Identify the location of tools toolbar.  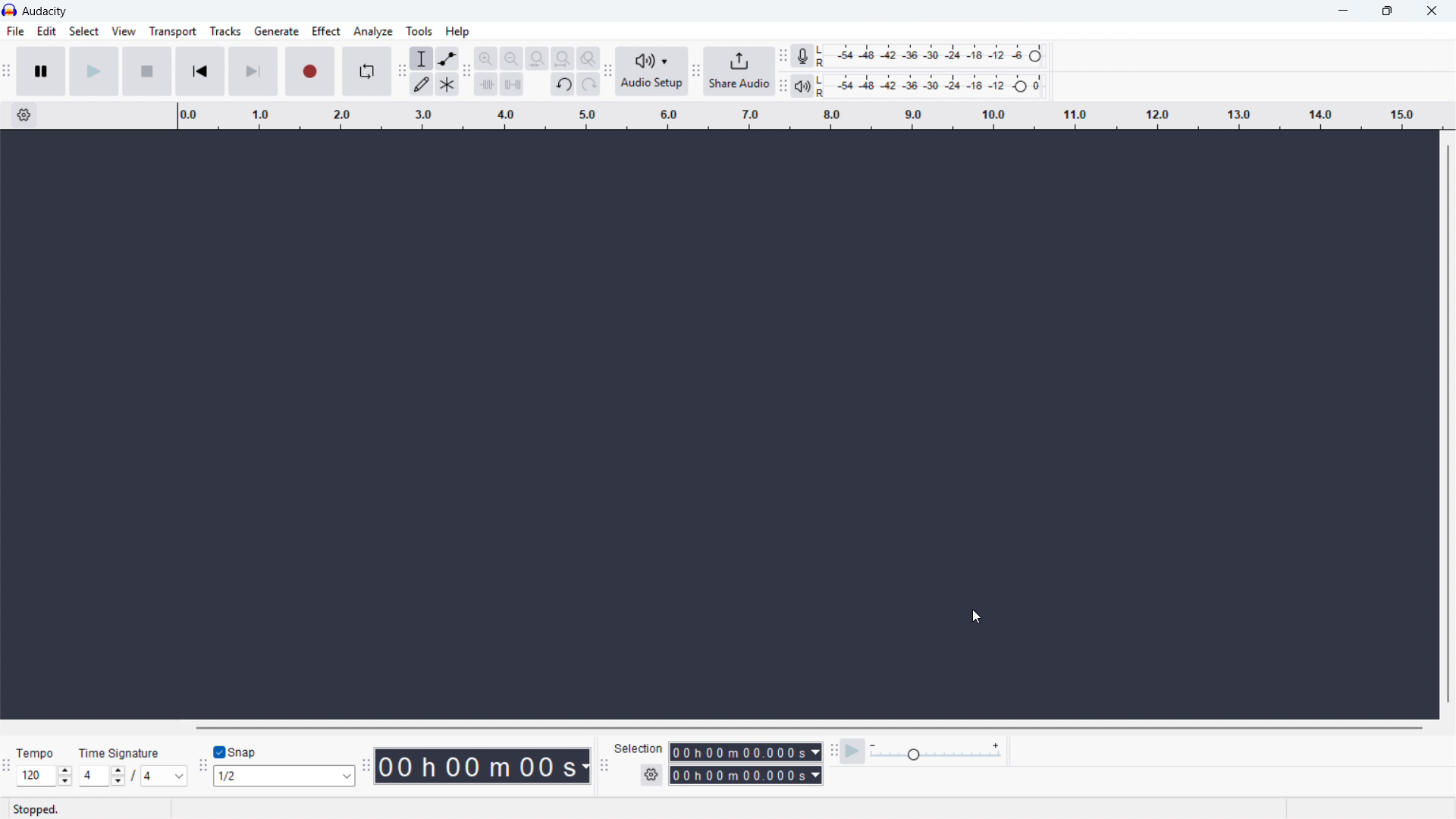
(401, 71).